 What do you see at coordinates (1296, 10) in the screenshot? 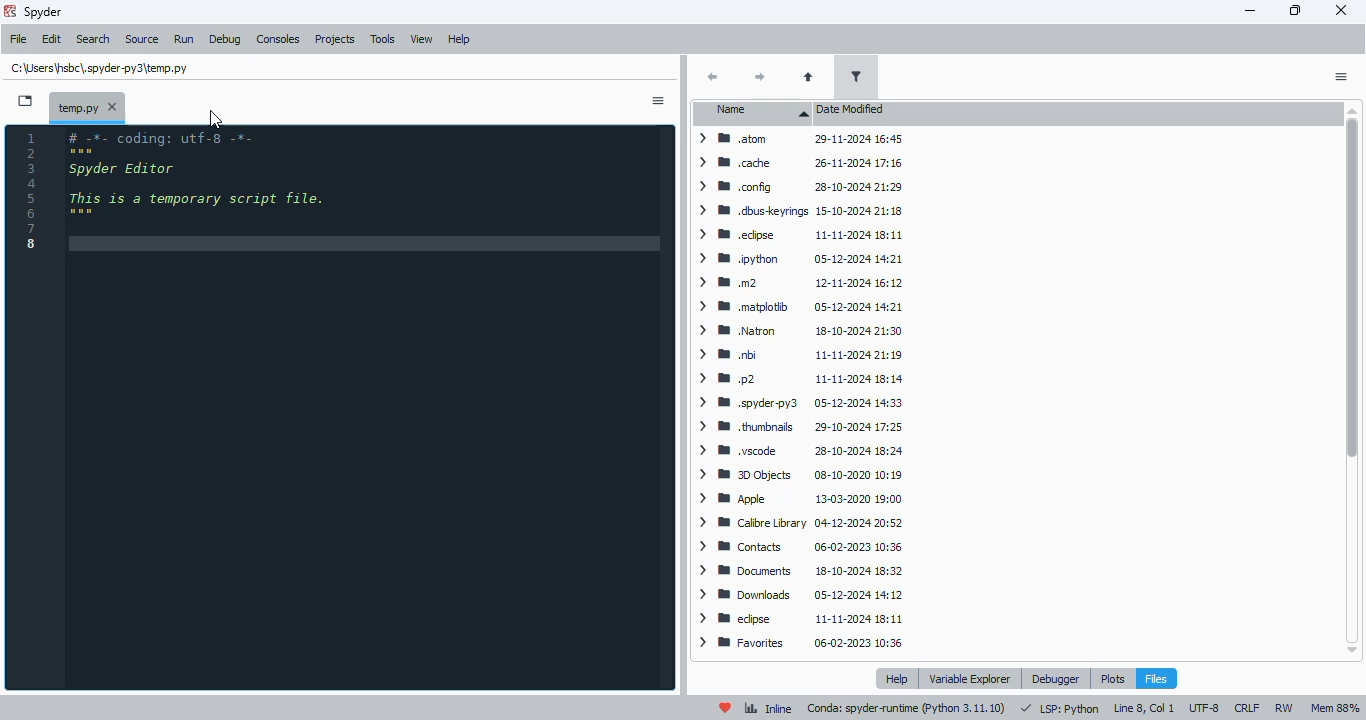
I see `maximize` at bounding box center [1296, 10].